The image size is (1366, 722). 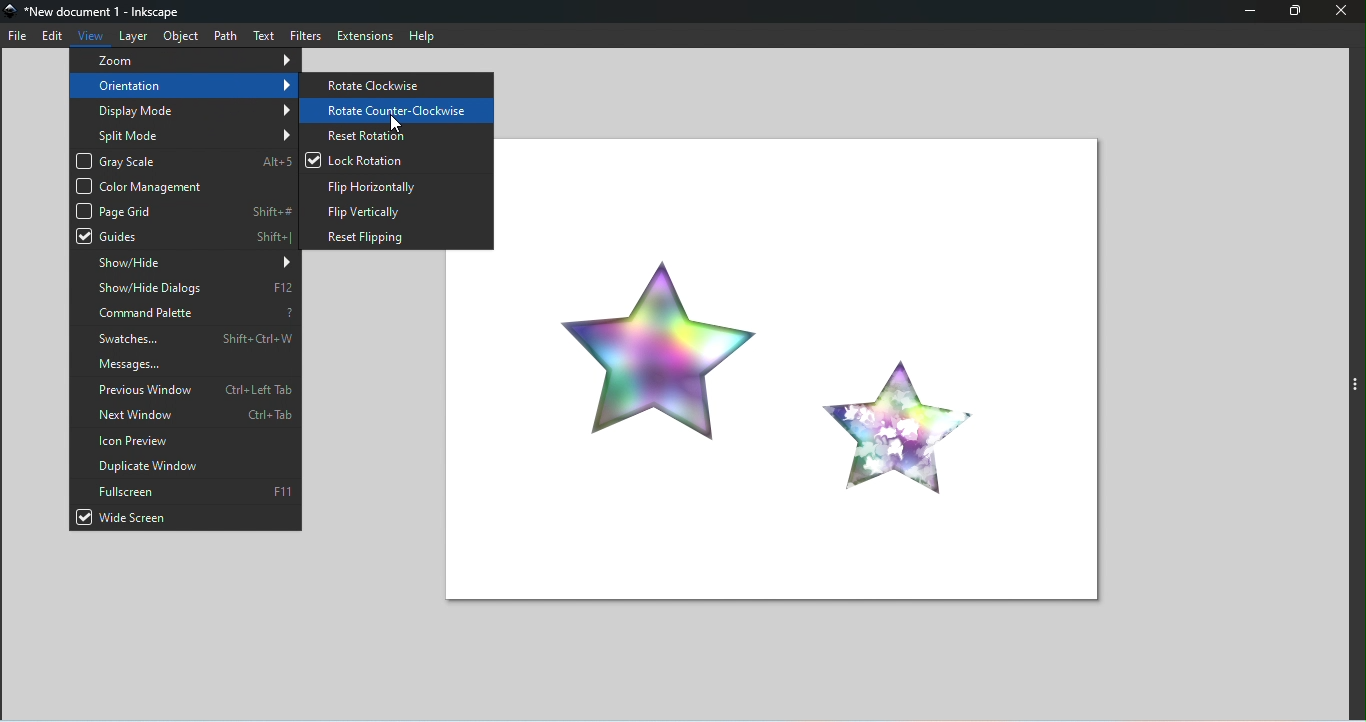 I want to click on Reset rotation, so click(x=397, y=135).